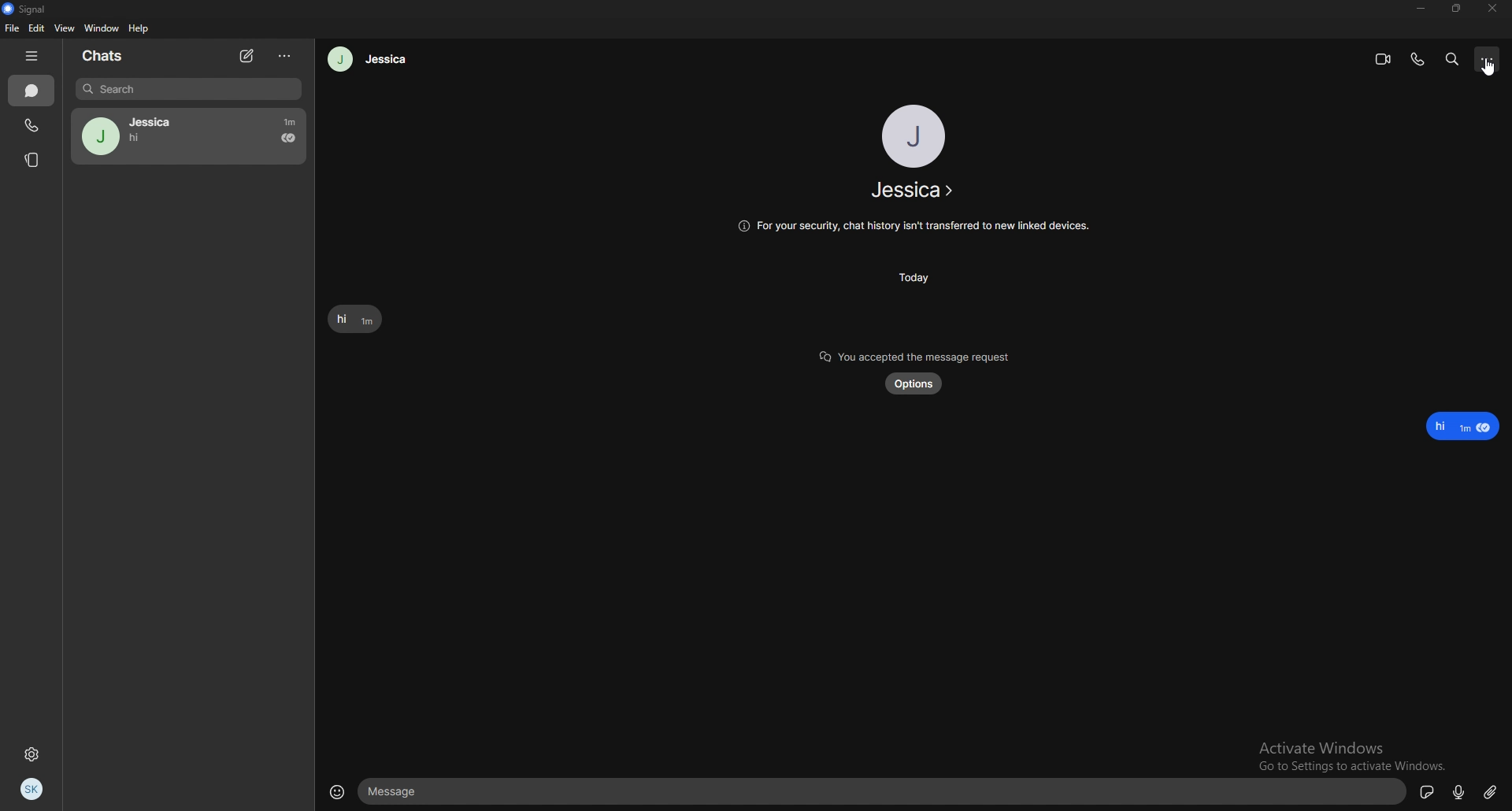  I want to click on new chat, so click(249, 56).